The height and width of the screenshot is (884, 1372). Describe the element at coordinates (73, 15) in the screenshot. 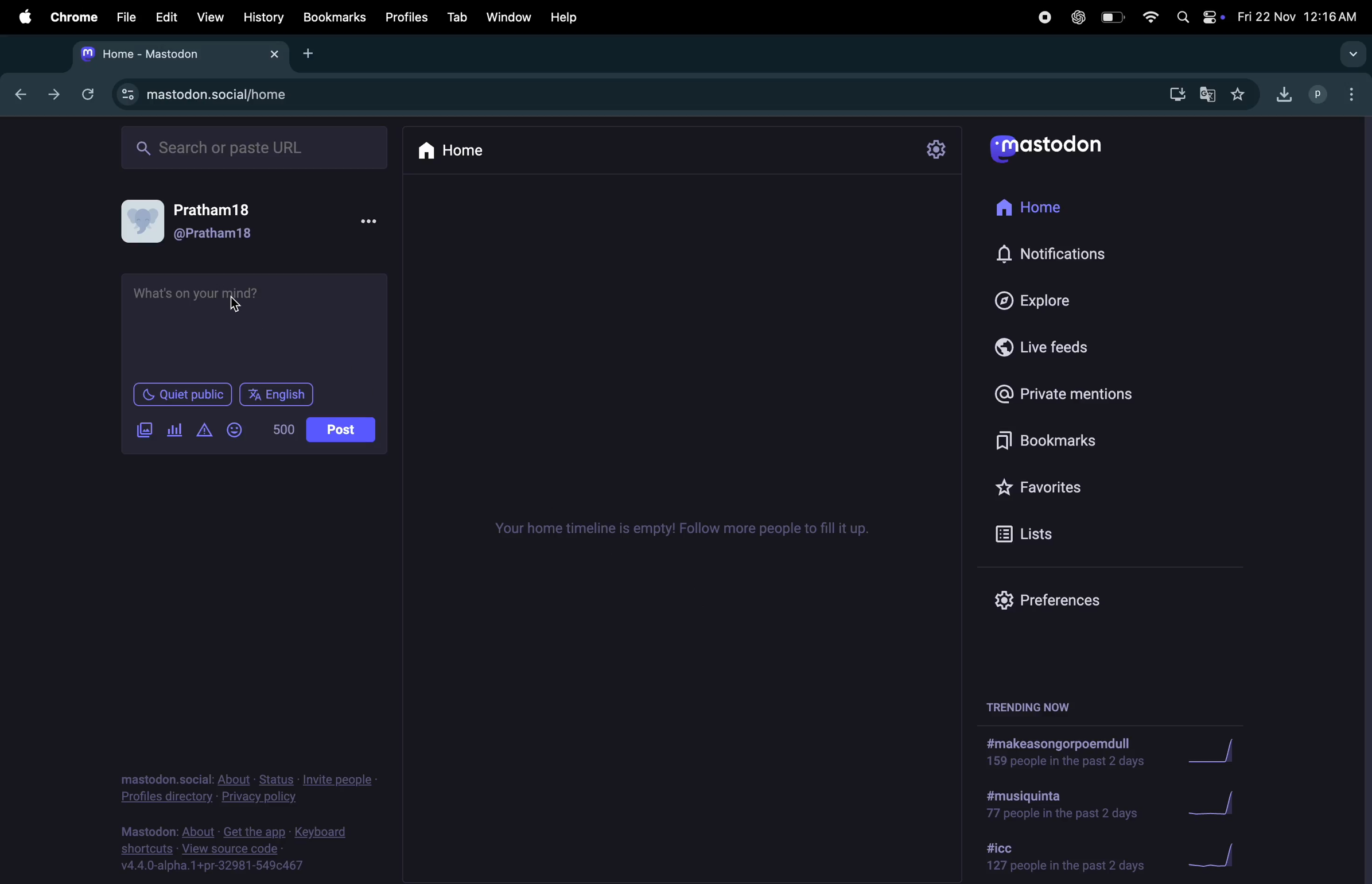

I see `chrome` at that location.